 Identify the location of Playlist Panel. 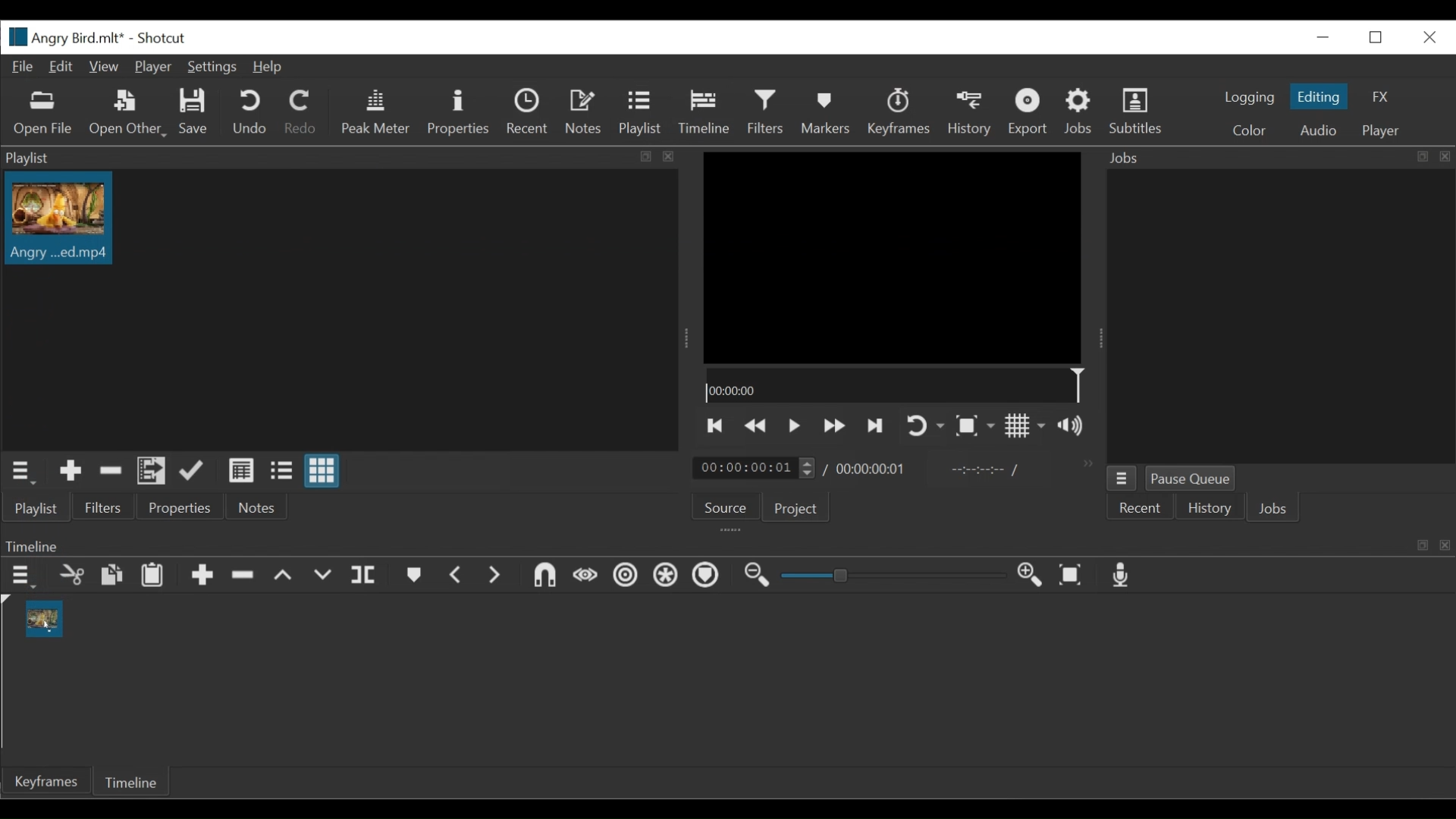
(348, 155).